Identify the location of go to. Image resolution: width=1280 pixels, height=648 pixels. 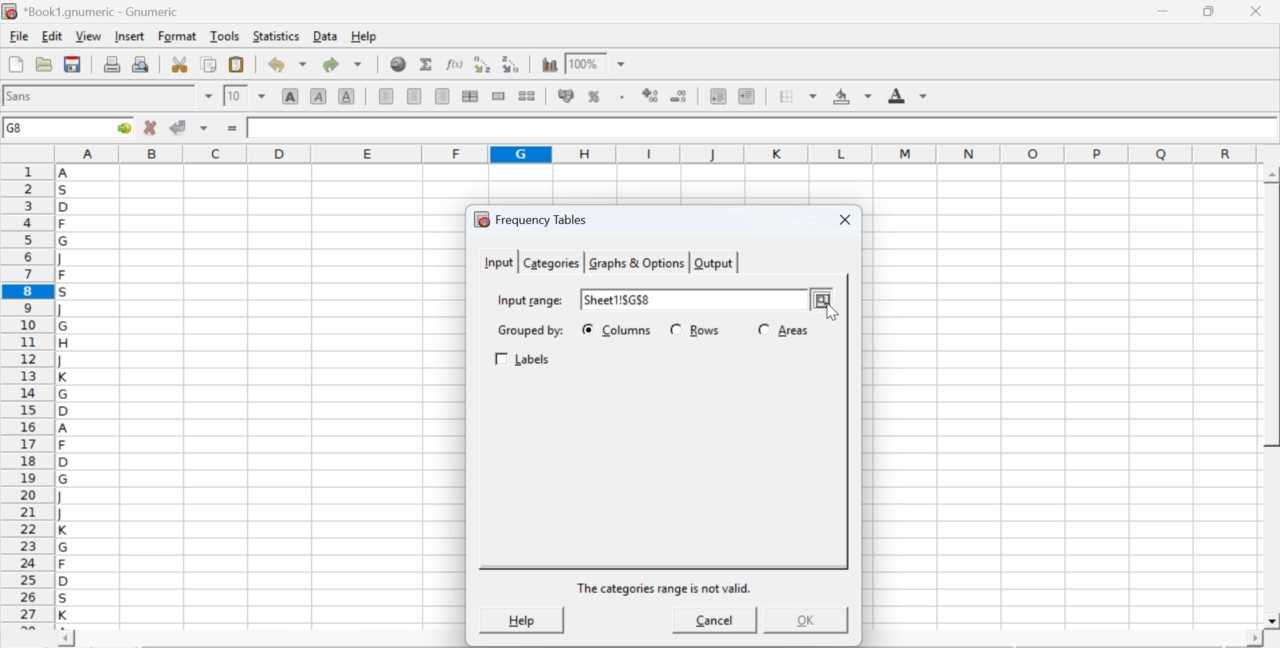
(122, 127).